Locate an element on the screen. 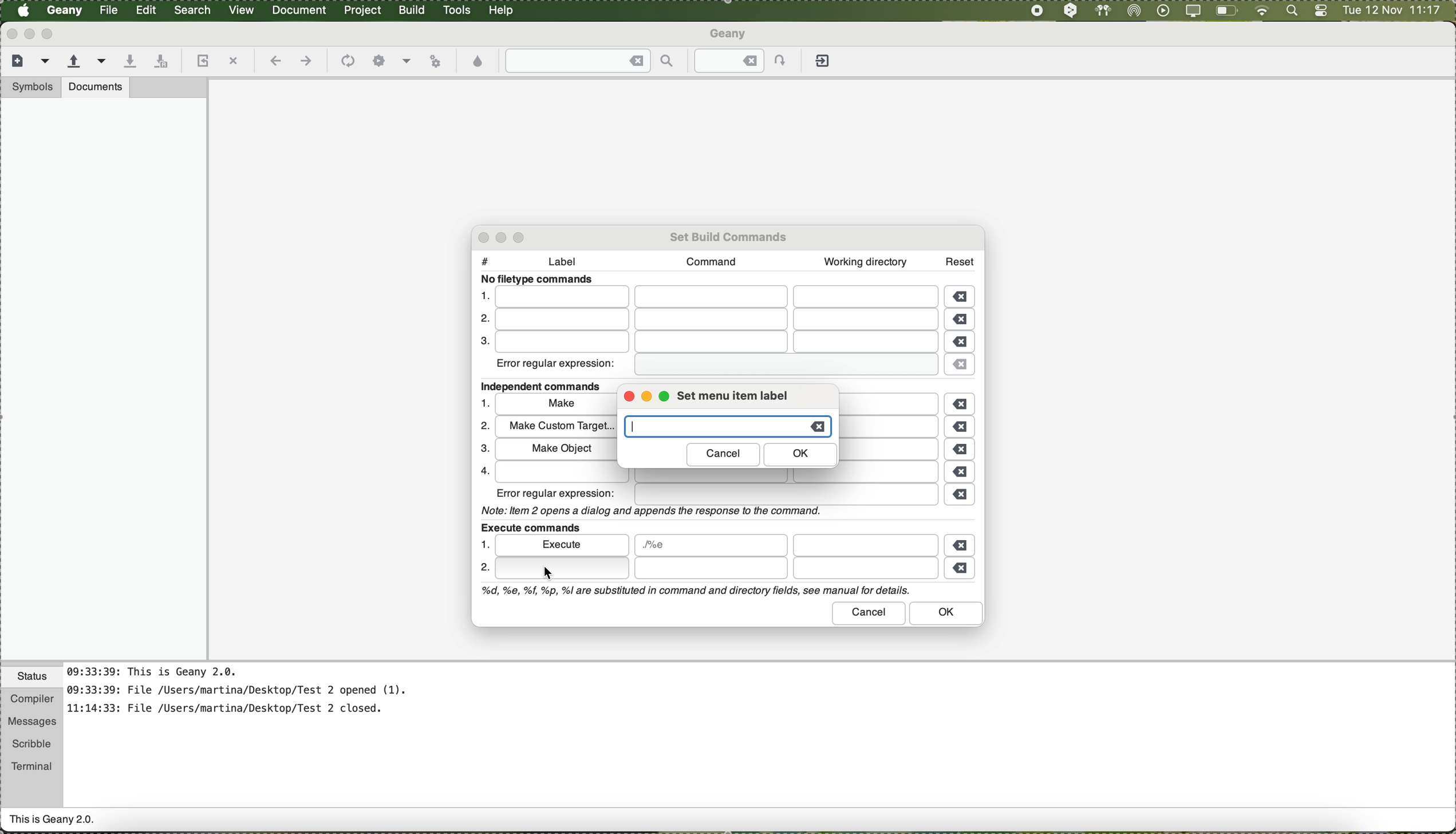 This screenshot has height=834, width=1456. note is located at coordinates (649, 510).